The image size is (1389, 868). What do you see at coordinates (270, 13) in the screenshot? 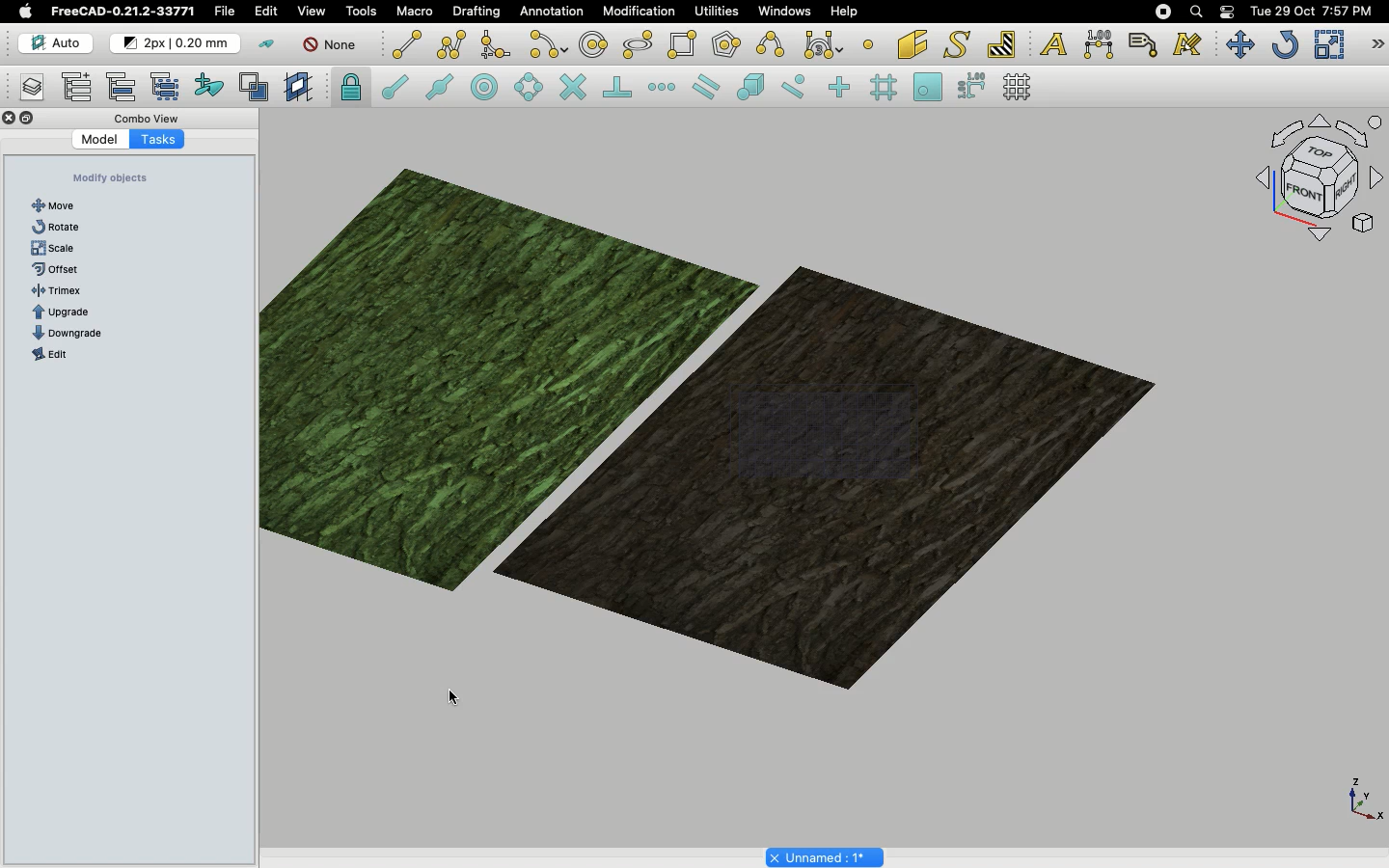
I see `Selecting edit` at bounding box center [270, 13].